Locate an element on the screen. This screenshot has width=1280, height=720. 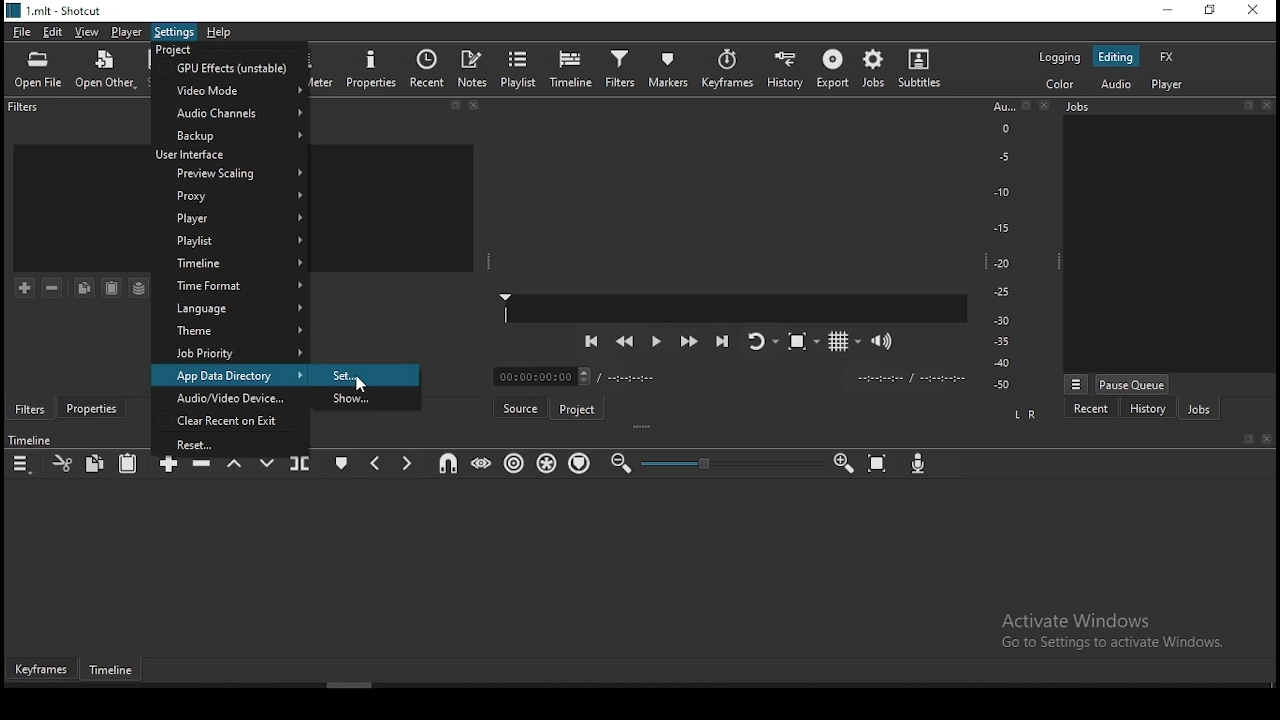
jobs is located at coordinates (872, 69).